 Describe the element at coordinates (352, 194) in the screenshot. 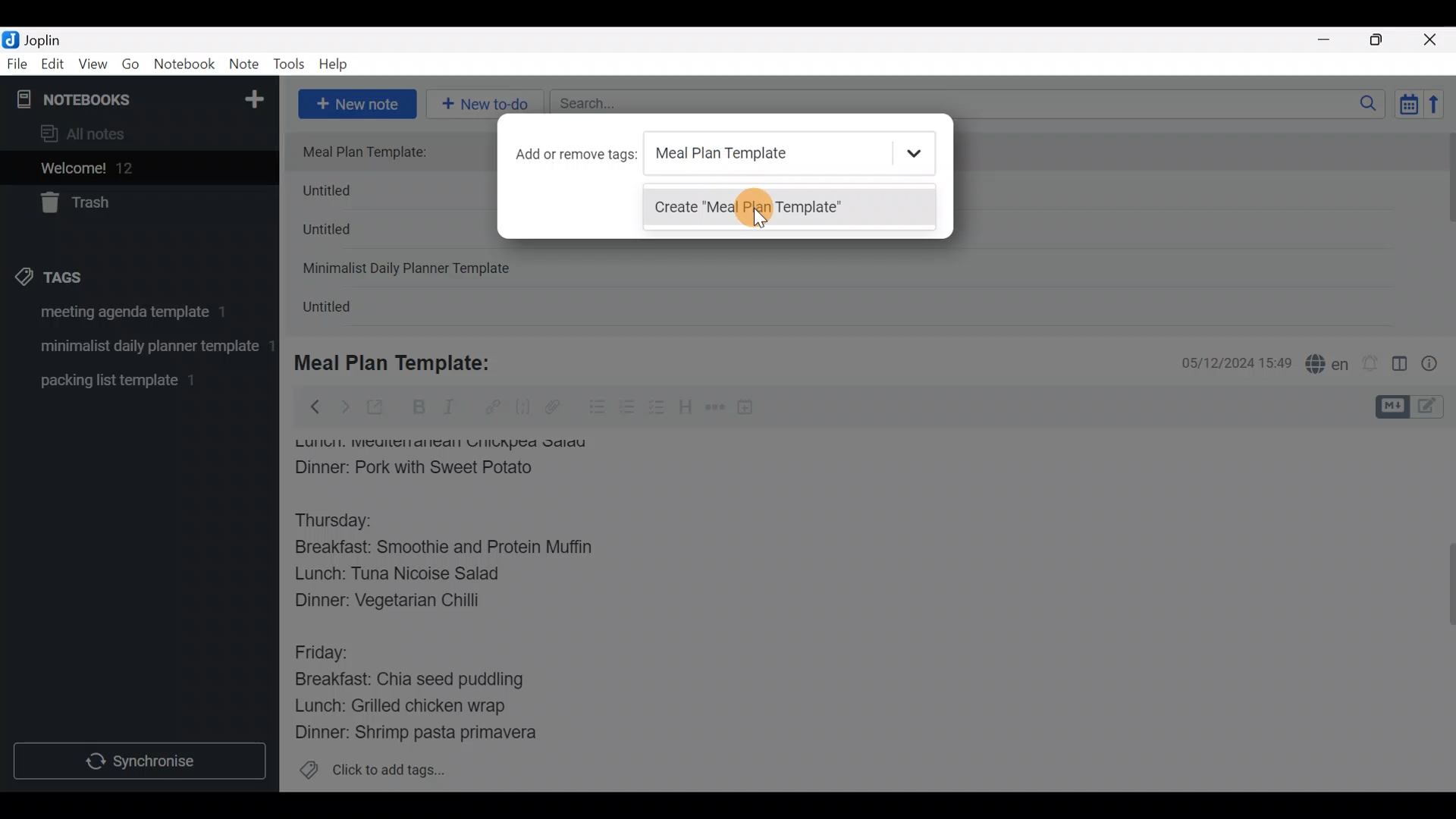

I see `Untitled` at that location.